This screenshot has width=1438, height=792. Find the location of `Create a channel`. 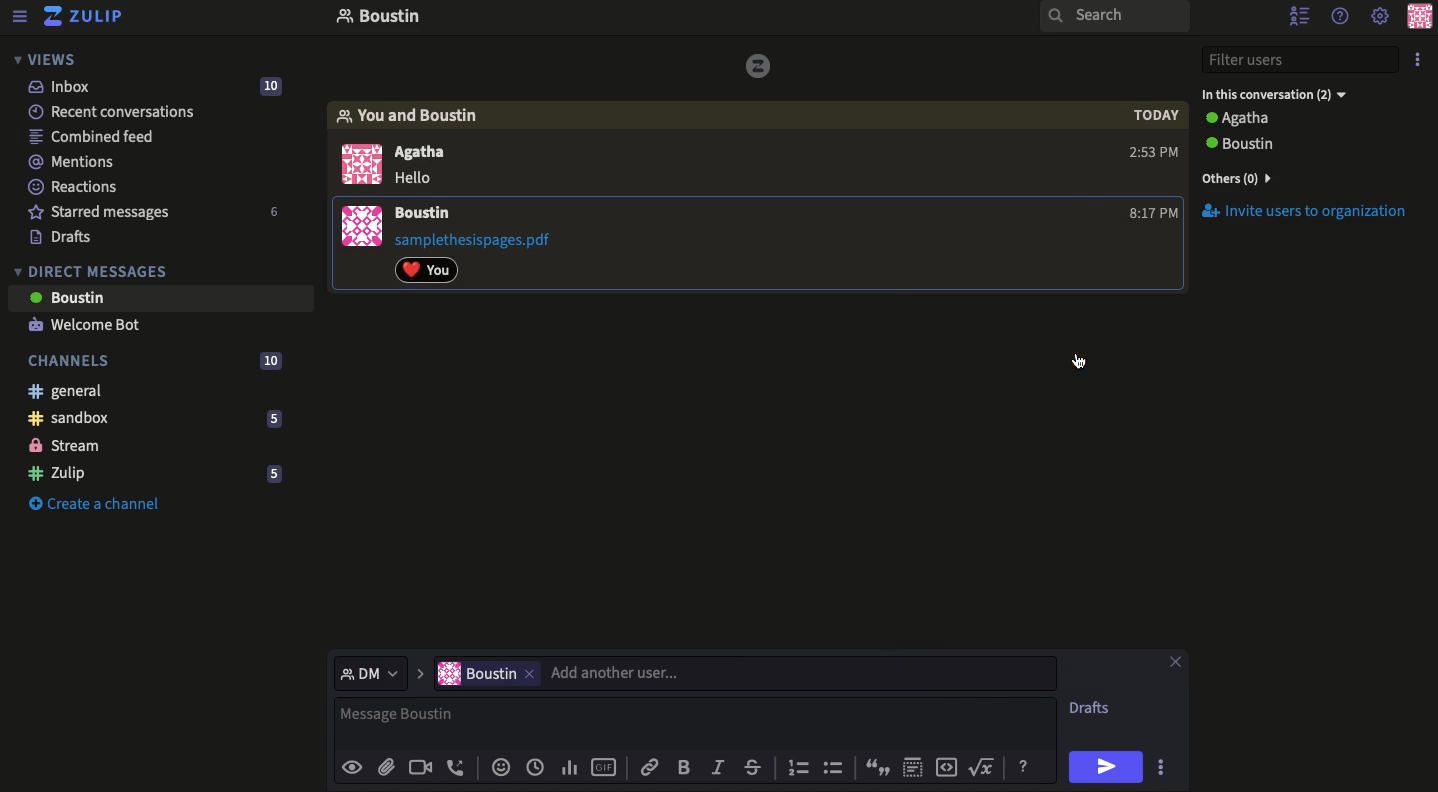

Create a channel is located at coordinates (91, 503).